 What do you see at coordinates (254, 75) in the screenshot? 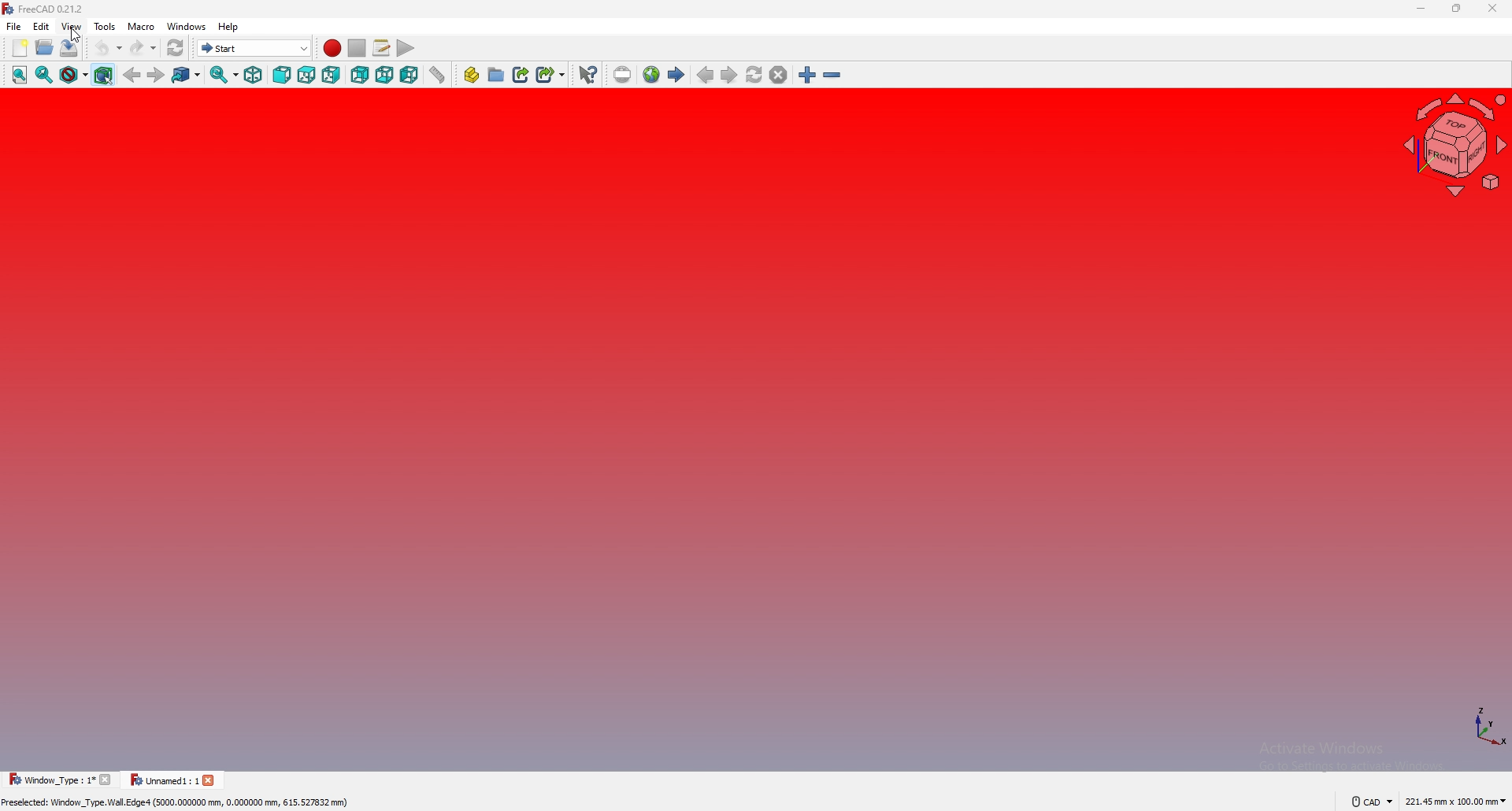
I see `isometric` at bounding box center [254, 75].